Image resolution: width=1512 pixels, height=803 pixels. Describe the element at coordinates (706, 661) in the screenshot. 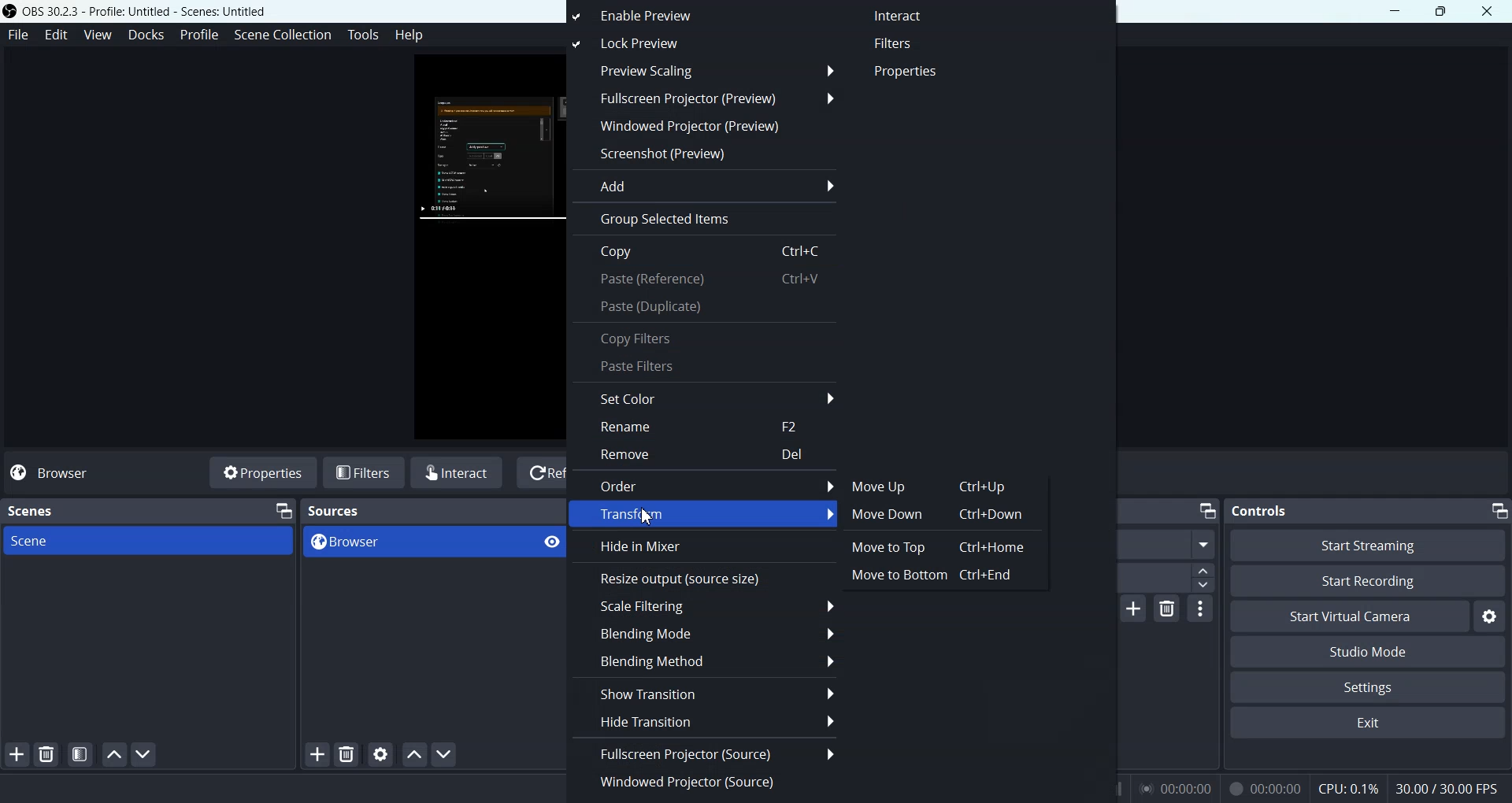

I see `Blending Method` at that location.